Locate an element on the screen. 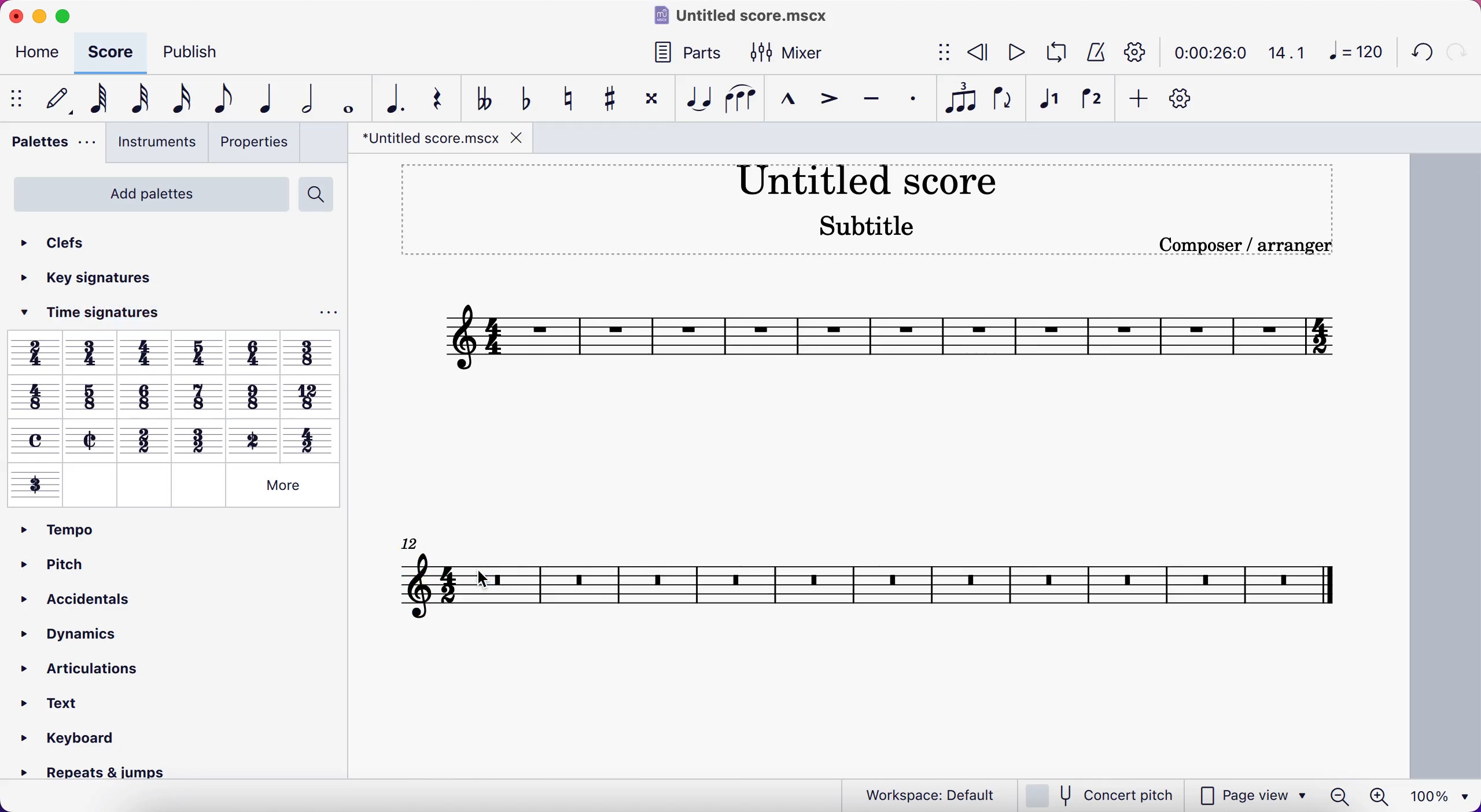  default is located at coordinates (54, 99).